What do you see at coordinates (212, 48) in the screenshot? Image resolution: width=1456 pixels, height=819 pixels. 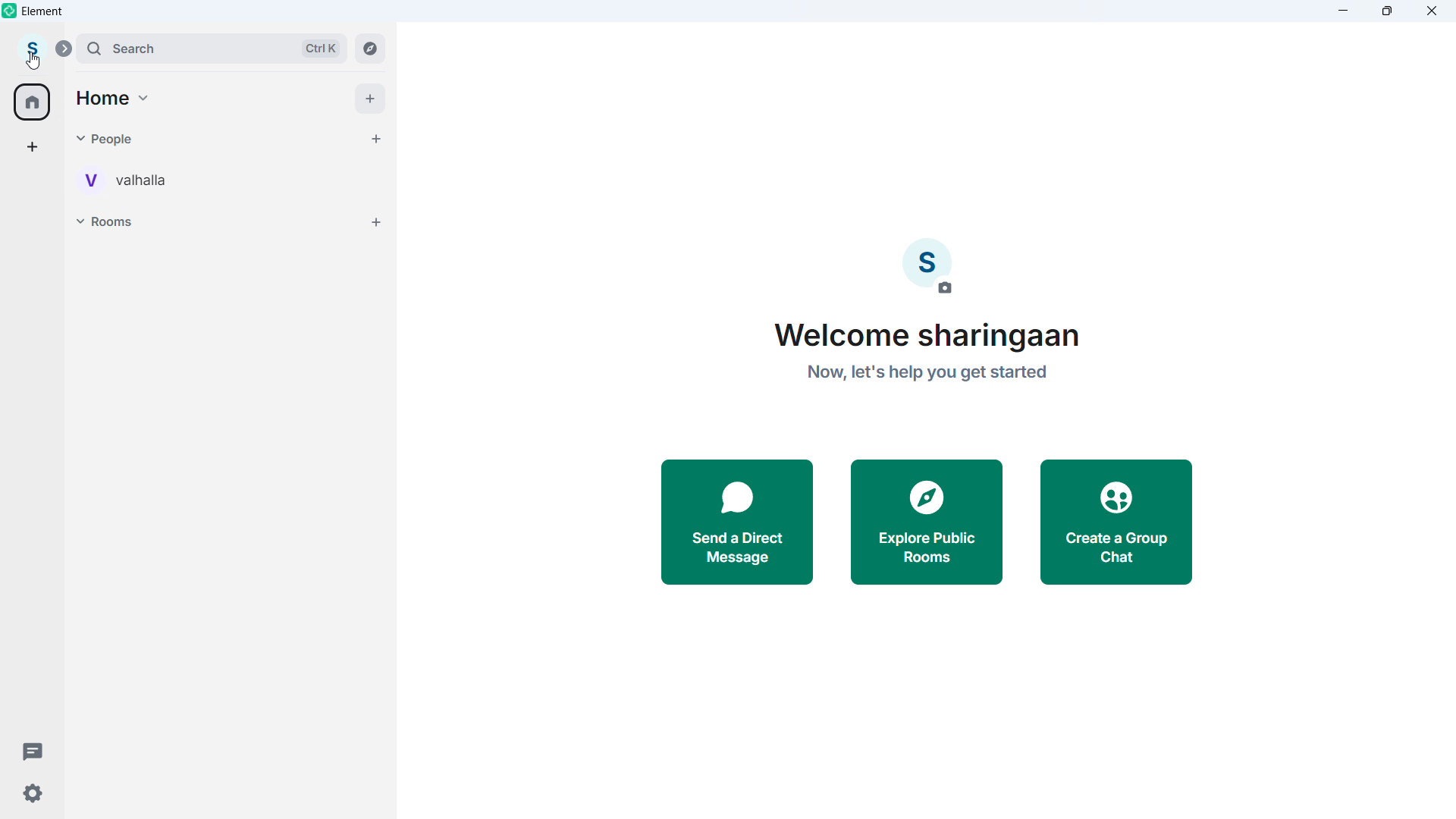 I see `search` at bounding box center [212, 48].